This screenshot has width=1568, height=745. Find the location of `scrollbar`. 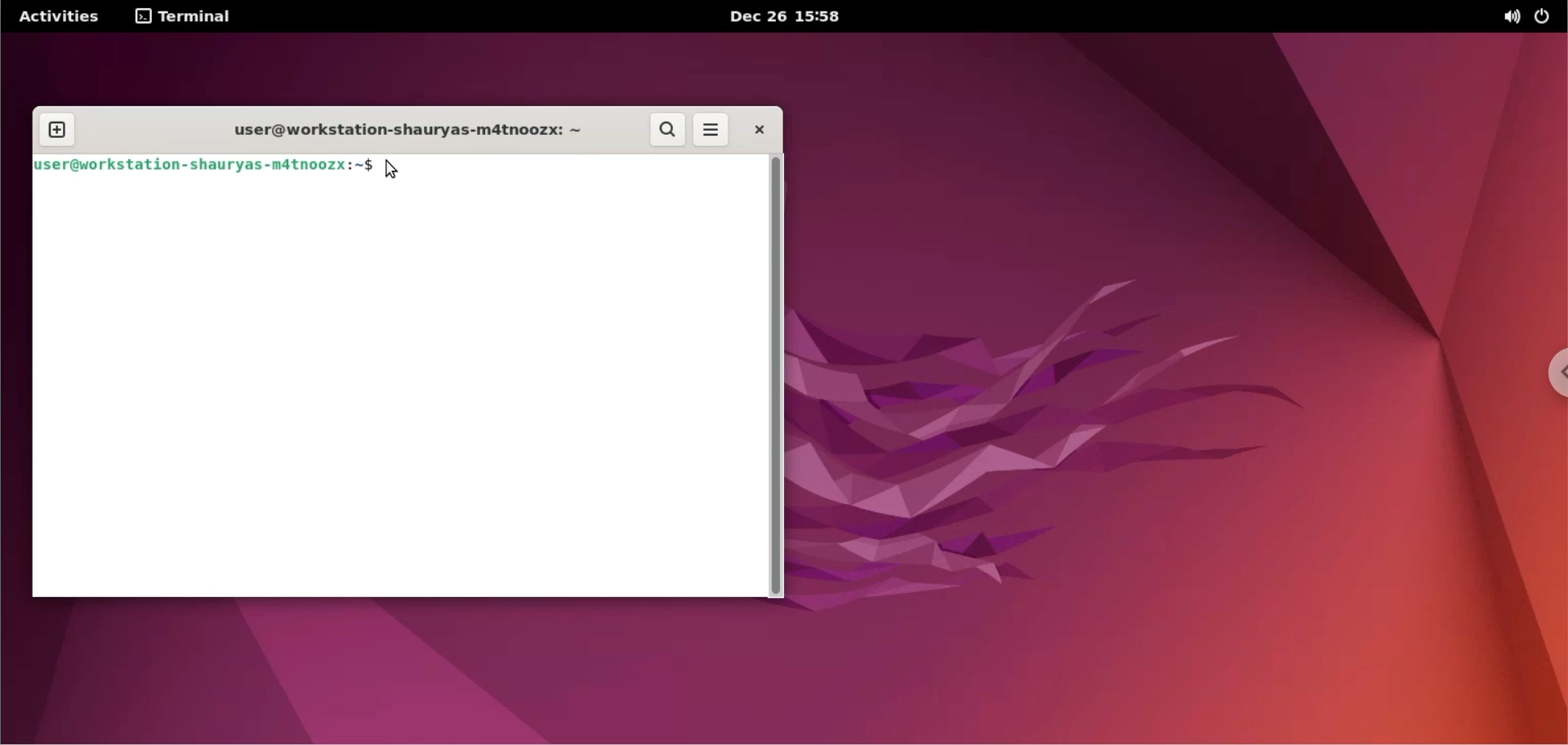

scrollbar is located at coordinates (776, 377).